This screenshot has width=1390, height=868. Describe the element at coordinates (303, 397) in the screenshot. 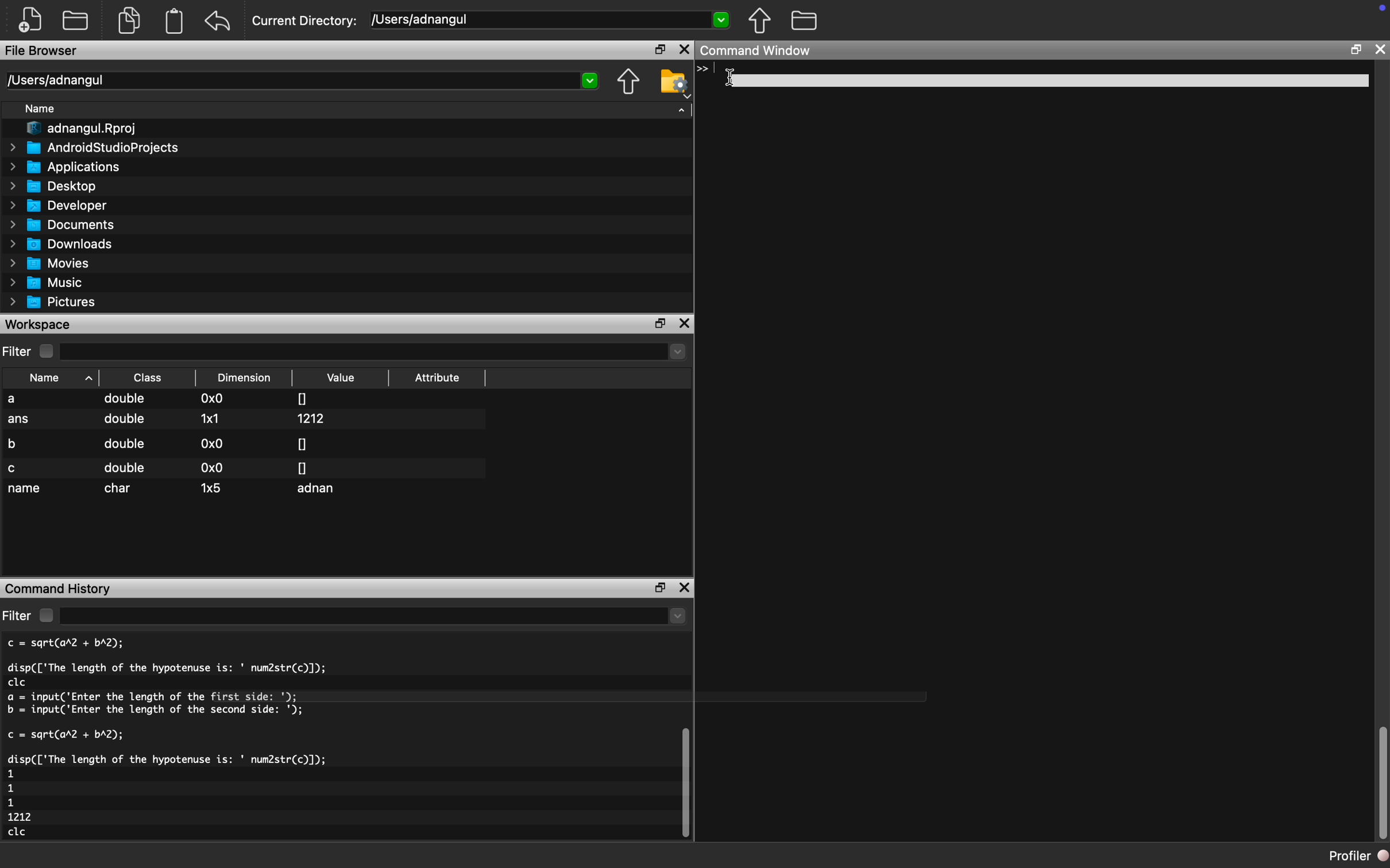

I see `0` at that location.